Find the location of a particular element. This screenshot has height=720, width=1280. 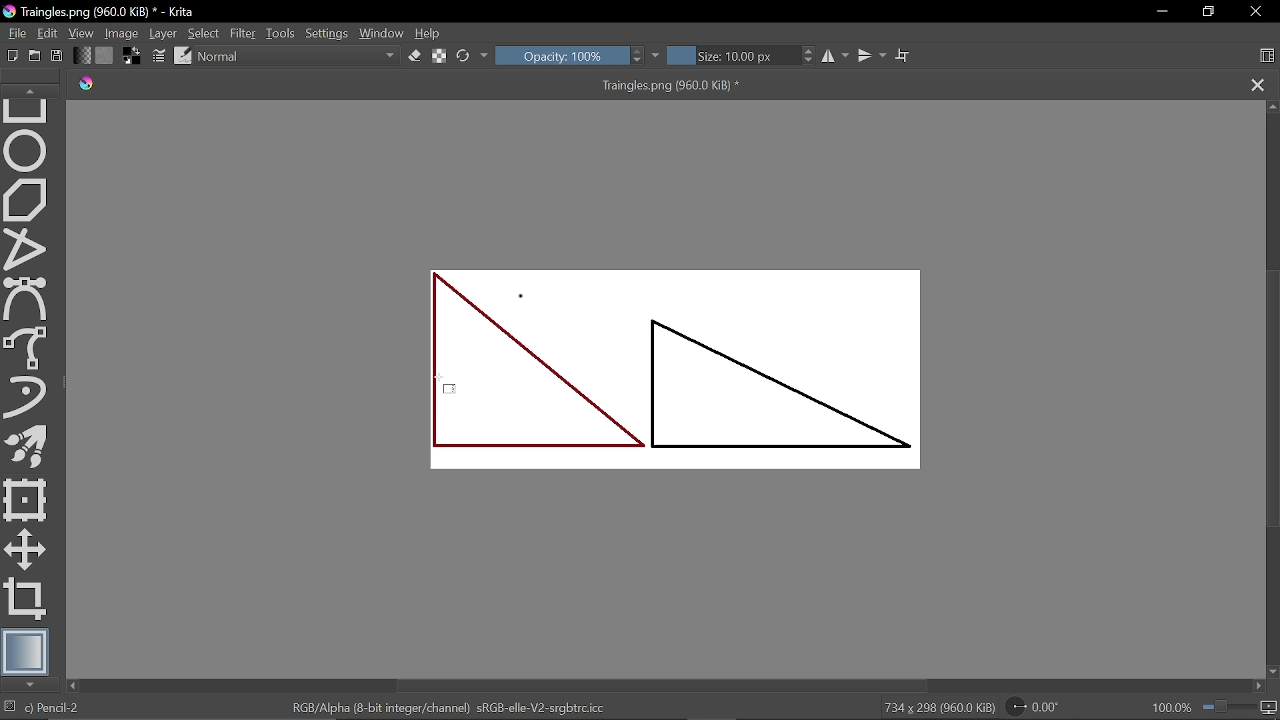

Image is located at coordinates (121, 33).